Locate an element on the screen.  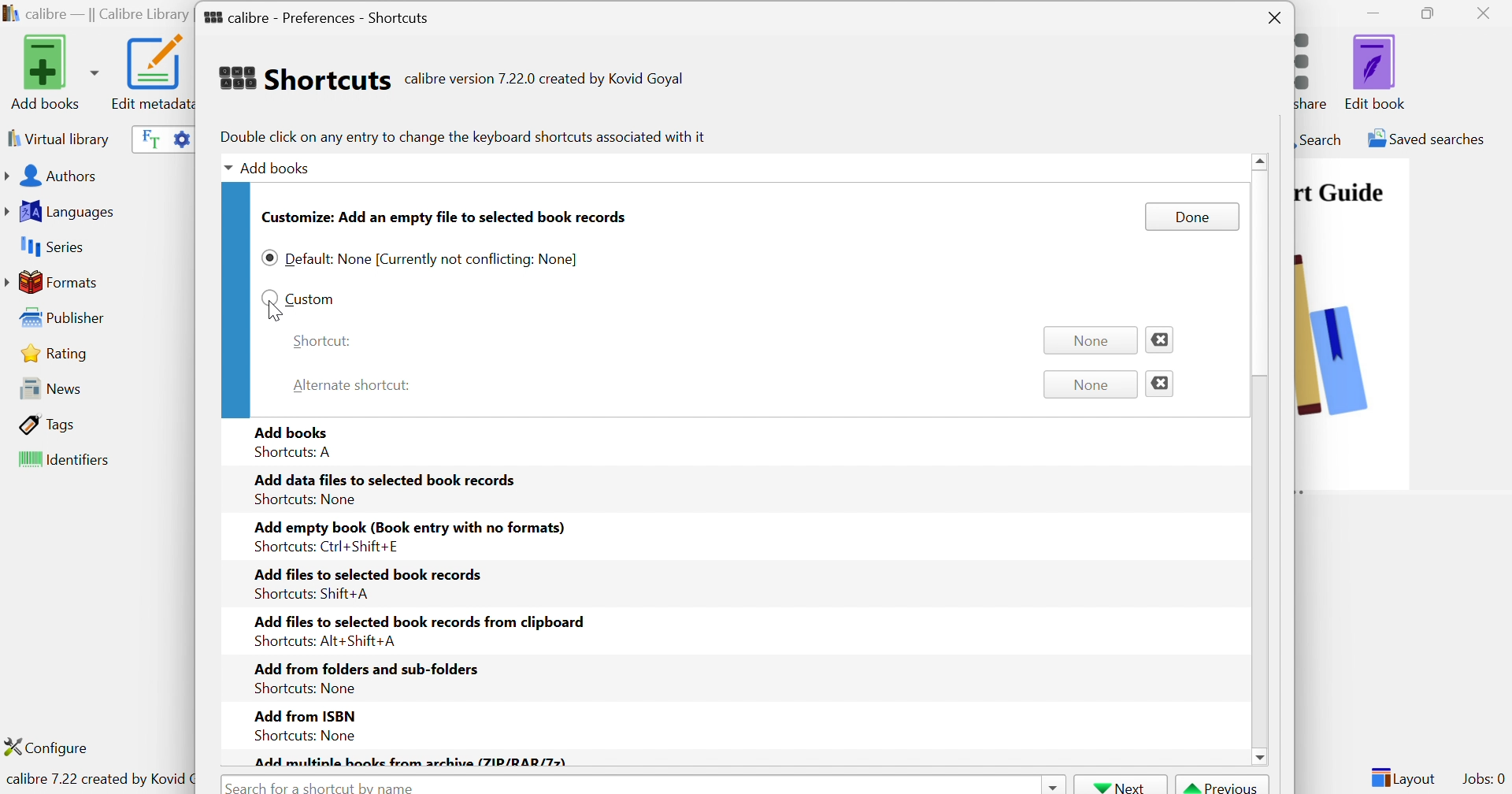
Checkbox is located at coordinates (269, 258).